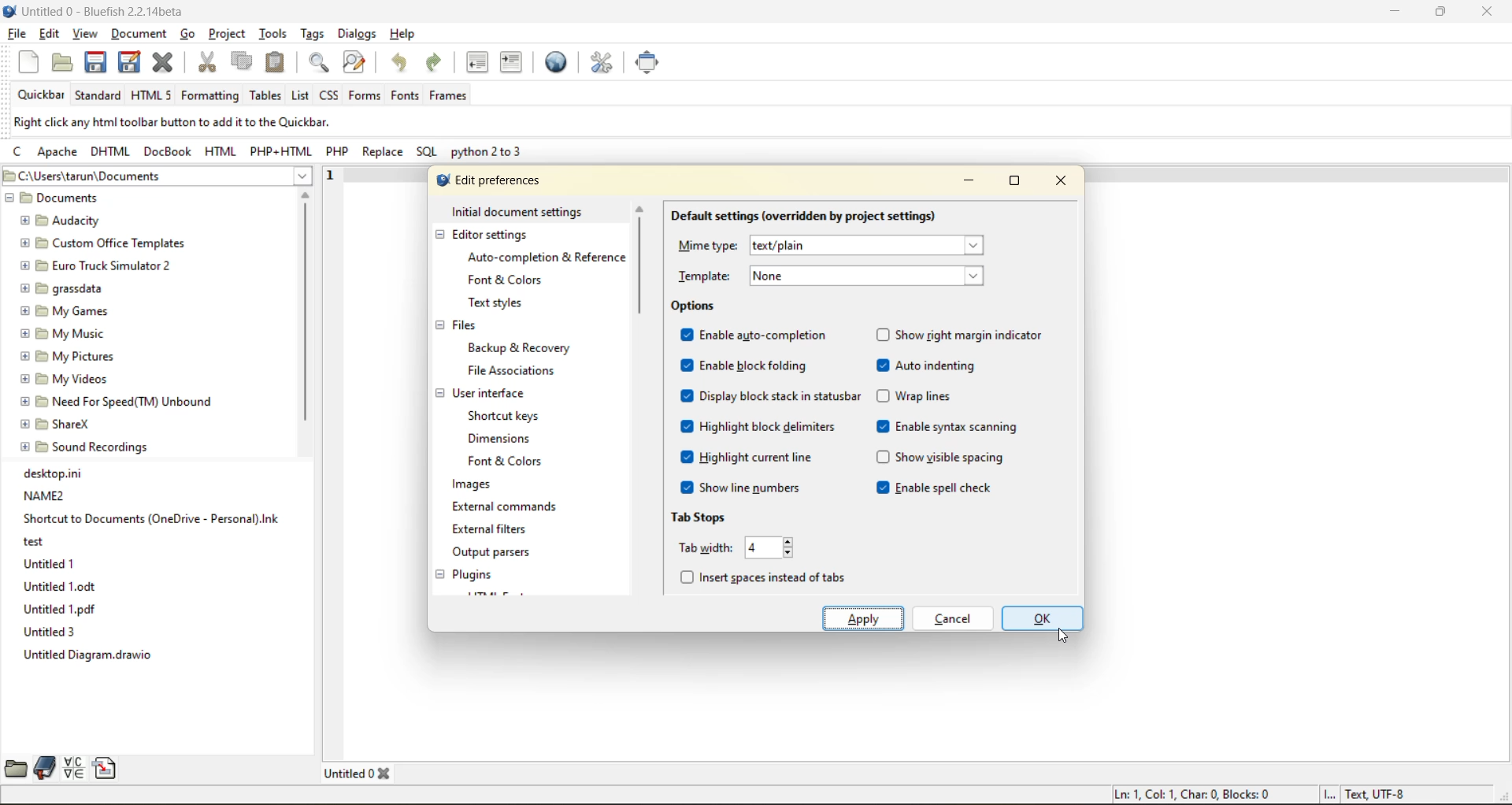  I want to click on decrease, so click(791, 552).